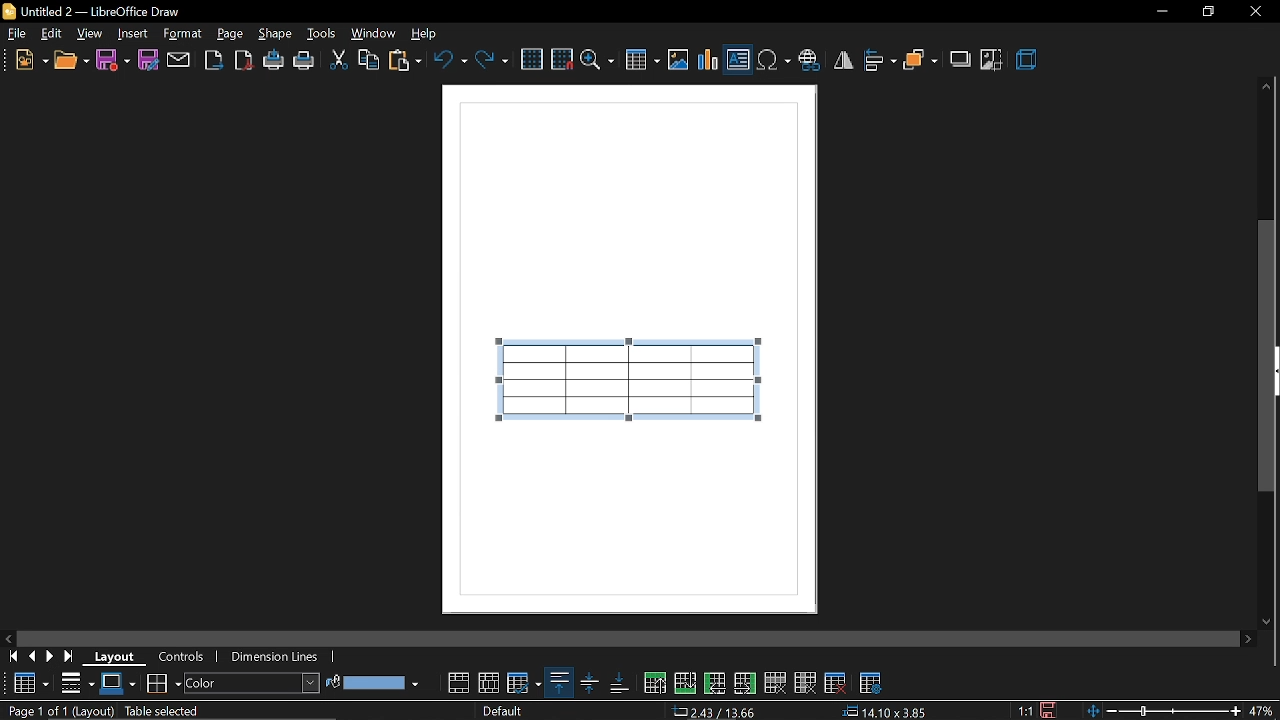 The image size is (1280, 720). I want to click on print, so click(305, 62).